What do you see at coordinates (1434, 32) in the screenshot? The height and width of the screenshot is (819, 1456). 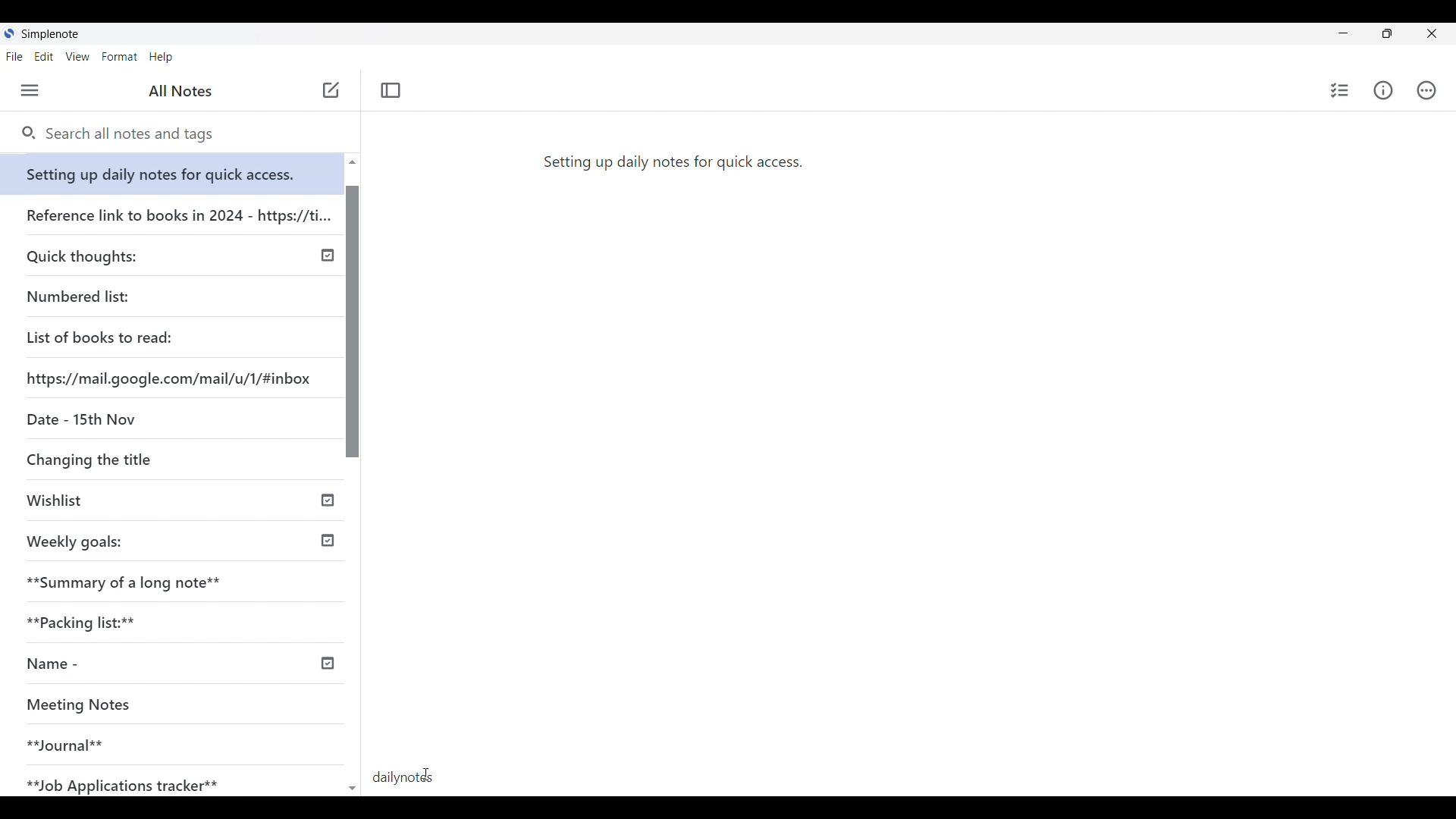 I see `Close ` at bounding box center [1434, 32].